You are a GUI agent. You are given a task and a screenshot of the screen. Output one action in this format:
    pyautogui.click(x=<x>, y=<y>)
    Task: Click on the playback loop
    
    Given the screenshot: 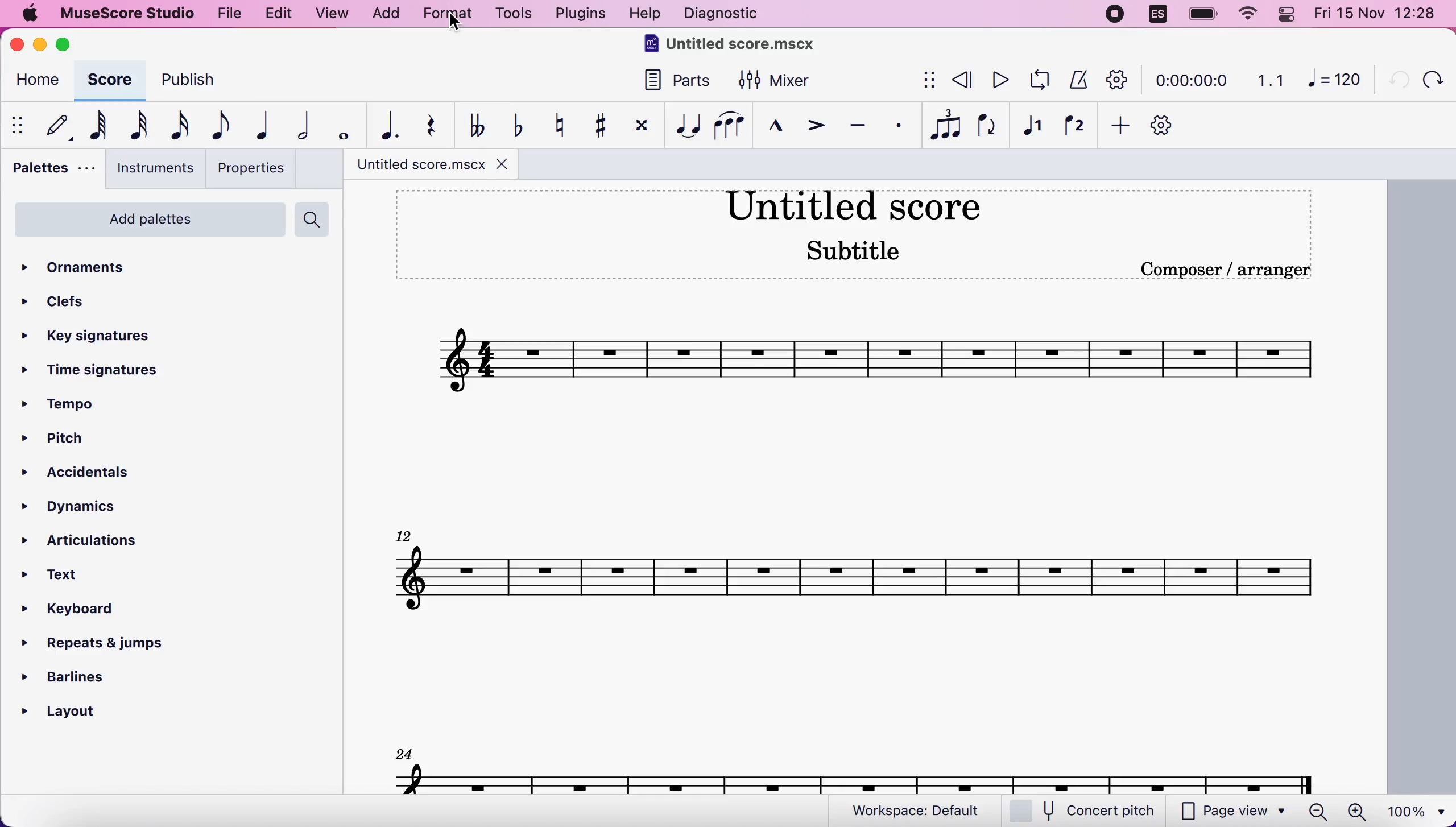 What is the action you would take?
    pyautogui.click(x=1036, y=80)
    